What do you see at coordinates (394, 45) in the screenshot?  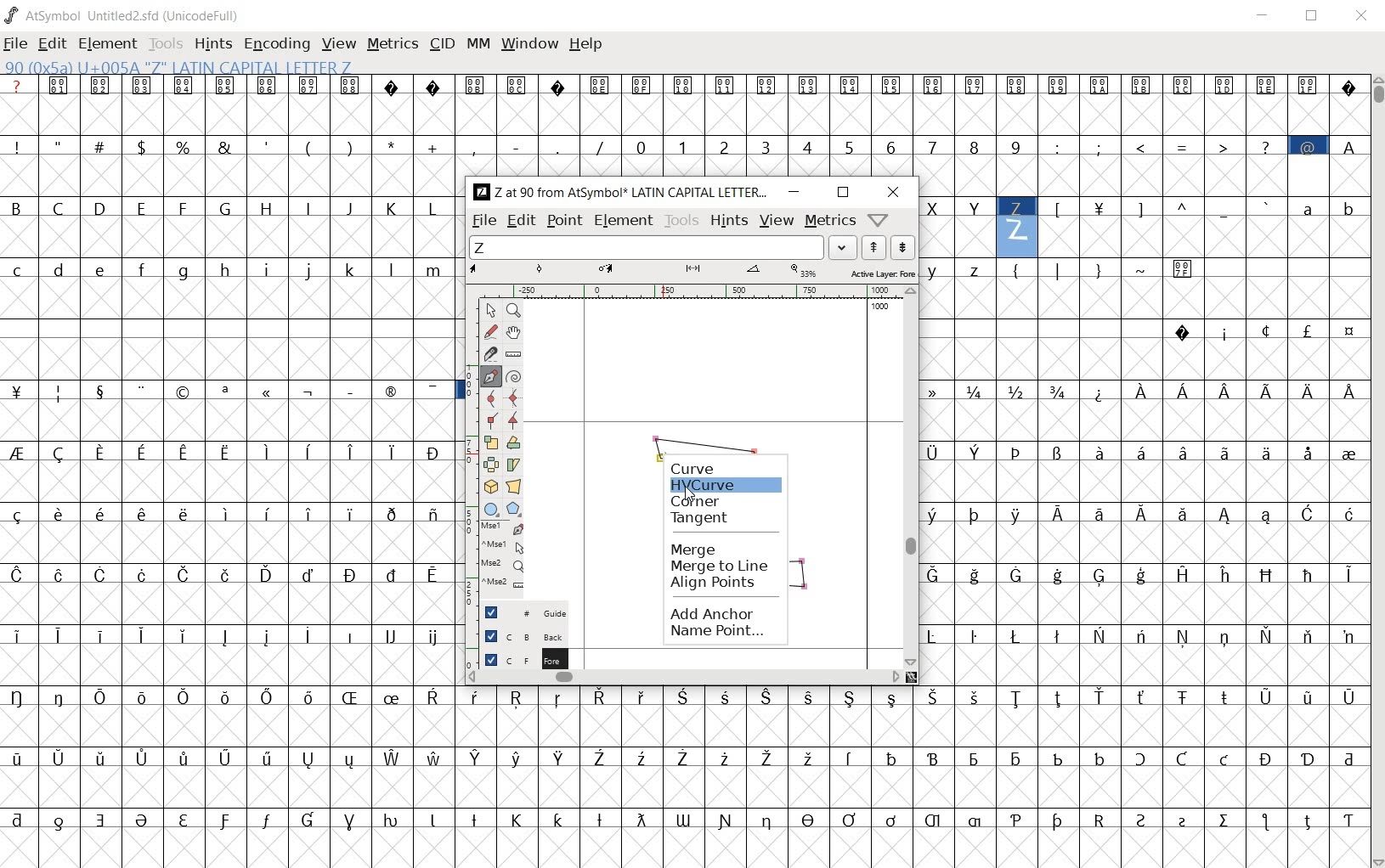 I see `metrics` at bounding box center [394, 45].